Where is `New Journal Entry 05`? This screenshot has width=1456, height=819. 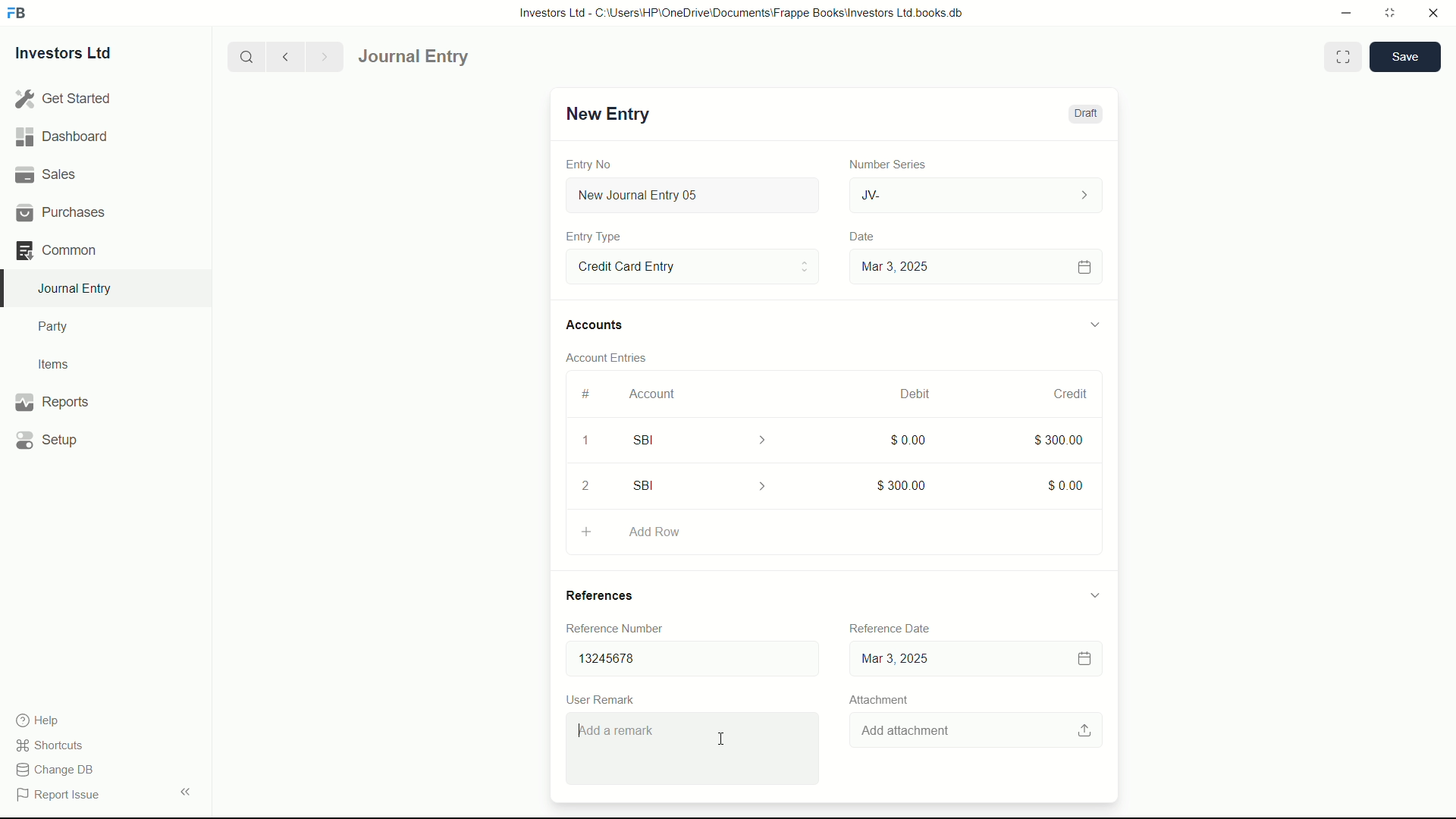
New Journal Entry 05 is located at coordinates (695, 196).